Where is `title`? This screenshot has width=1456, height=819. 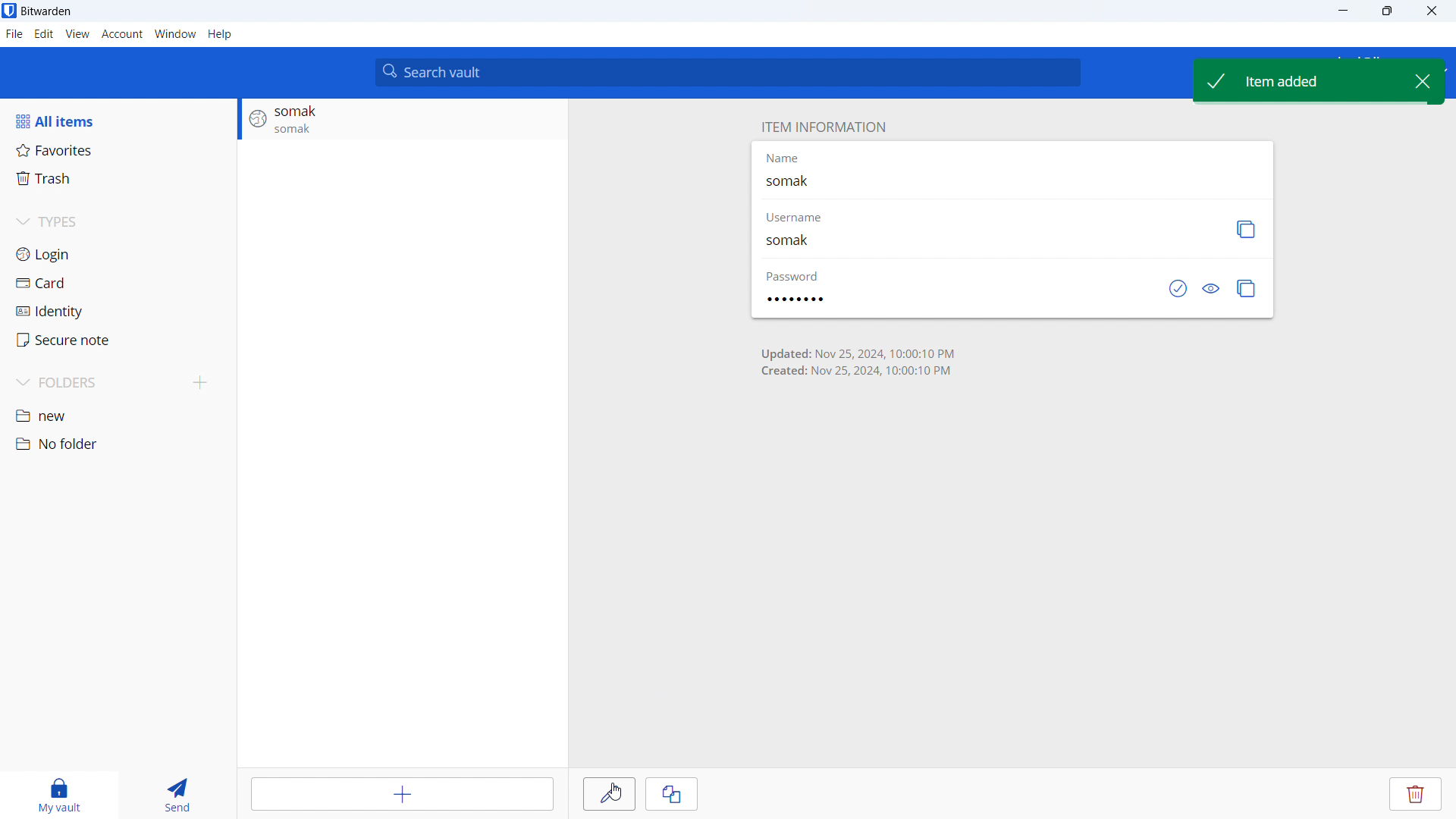 title is located at coordinates (46, 11).